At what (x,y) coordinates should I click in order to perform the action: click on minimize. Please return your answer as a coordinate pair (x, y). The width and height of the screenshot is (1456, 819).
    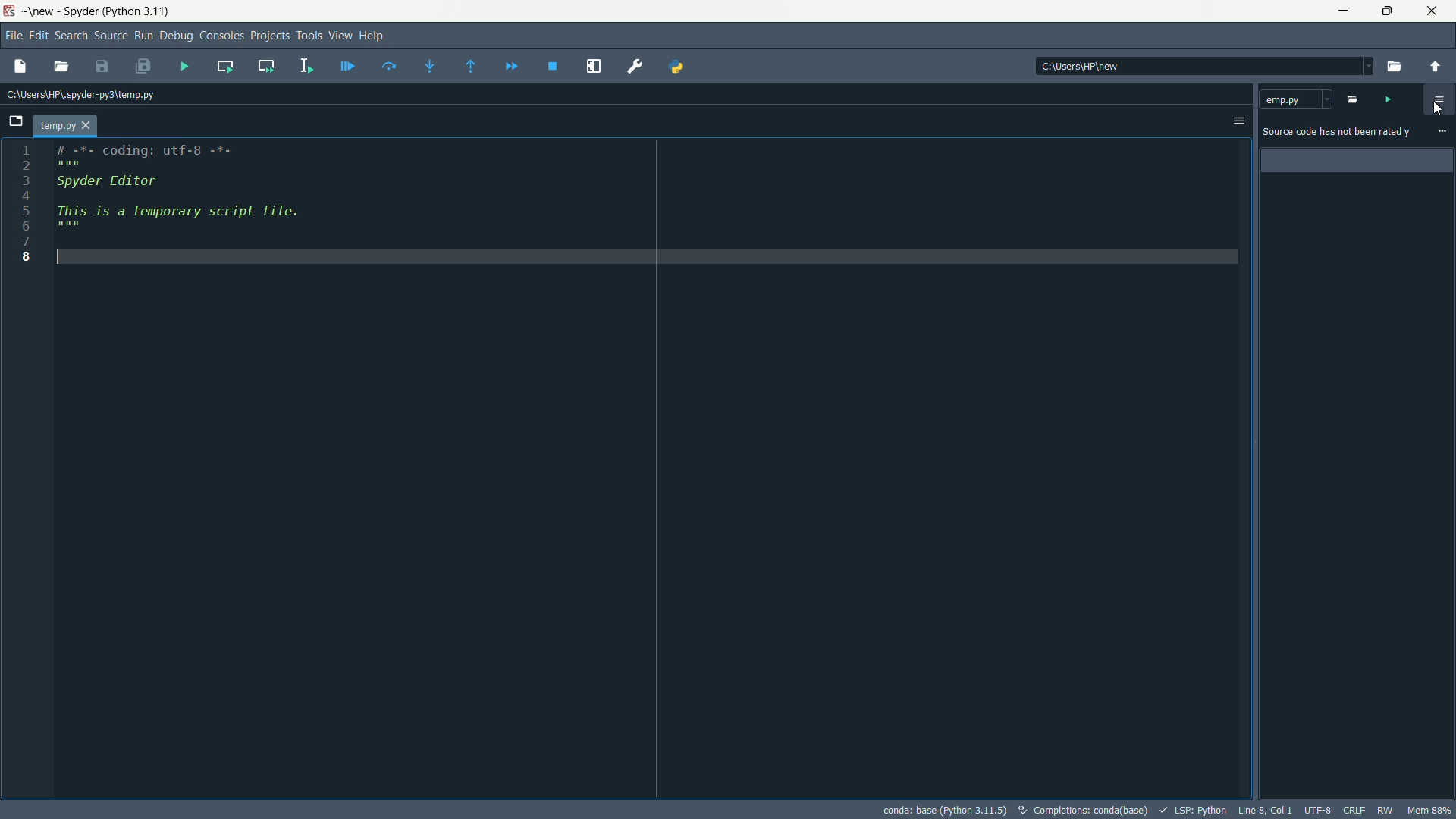
    Looking at the image, I should click on (1345, 11).